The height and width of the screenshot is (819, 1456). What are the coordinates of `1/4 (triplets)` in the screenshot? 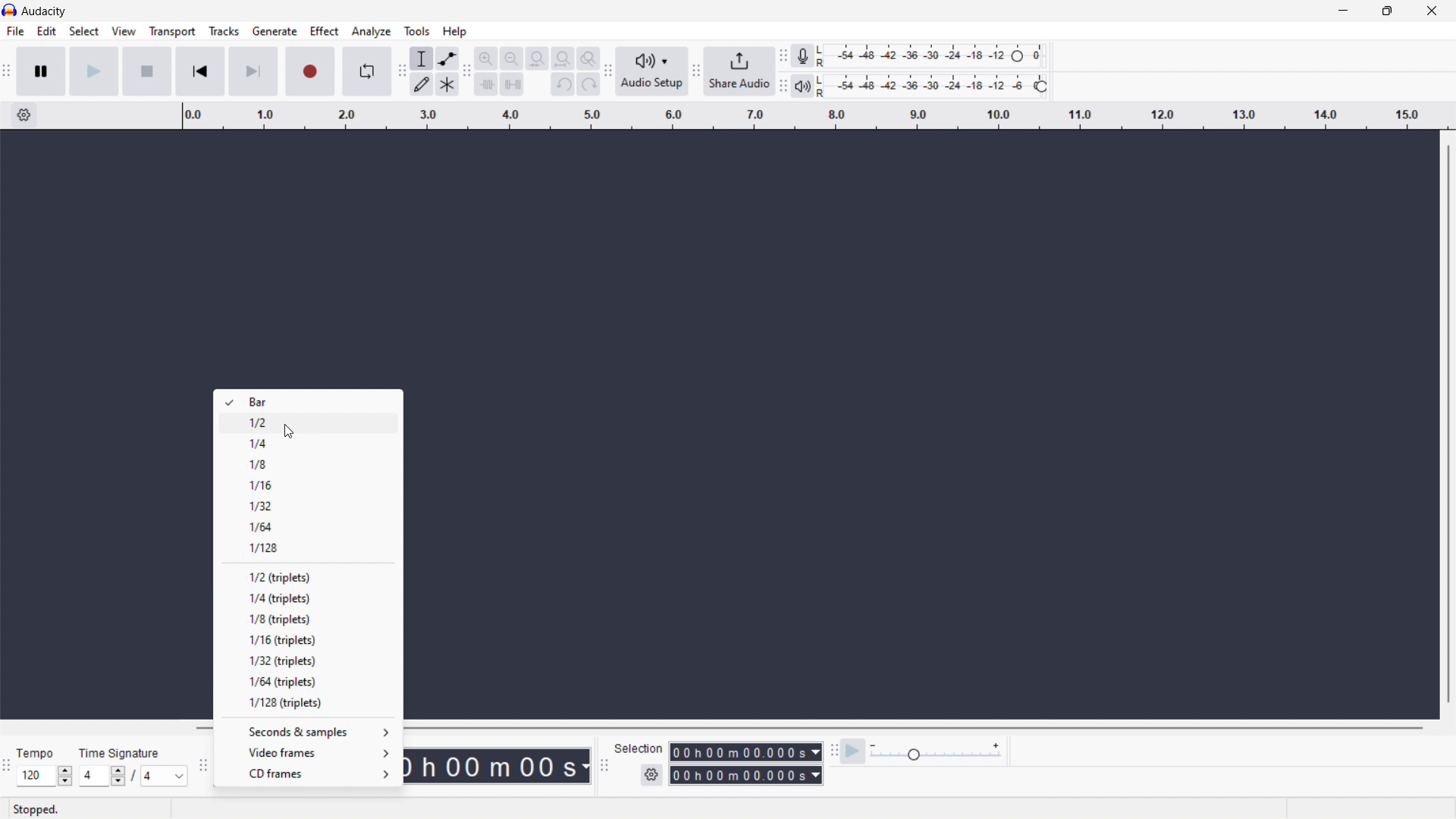 It's located at (307, 598).